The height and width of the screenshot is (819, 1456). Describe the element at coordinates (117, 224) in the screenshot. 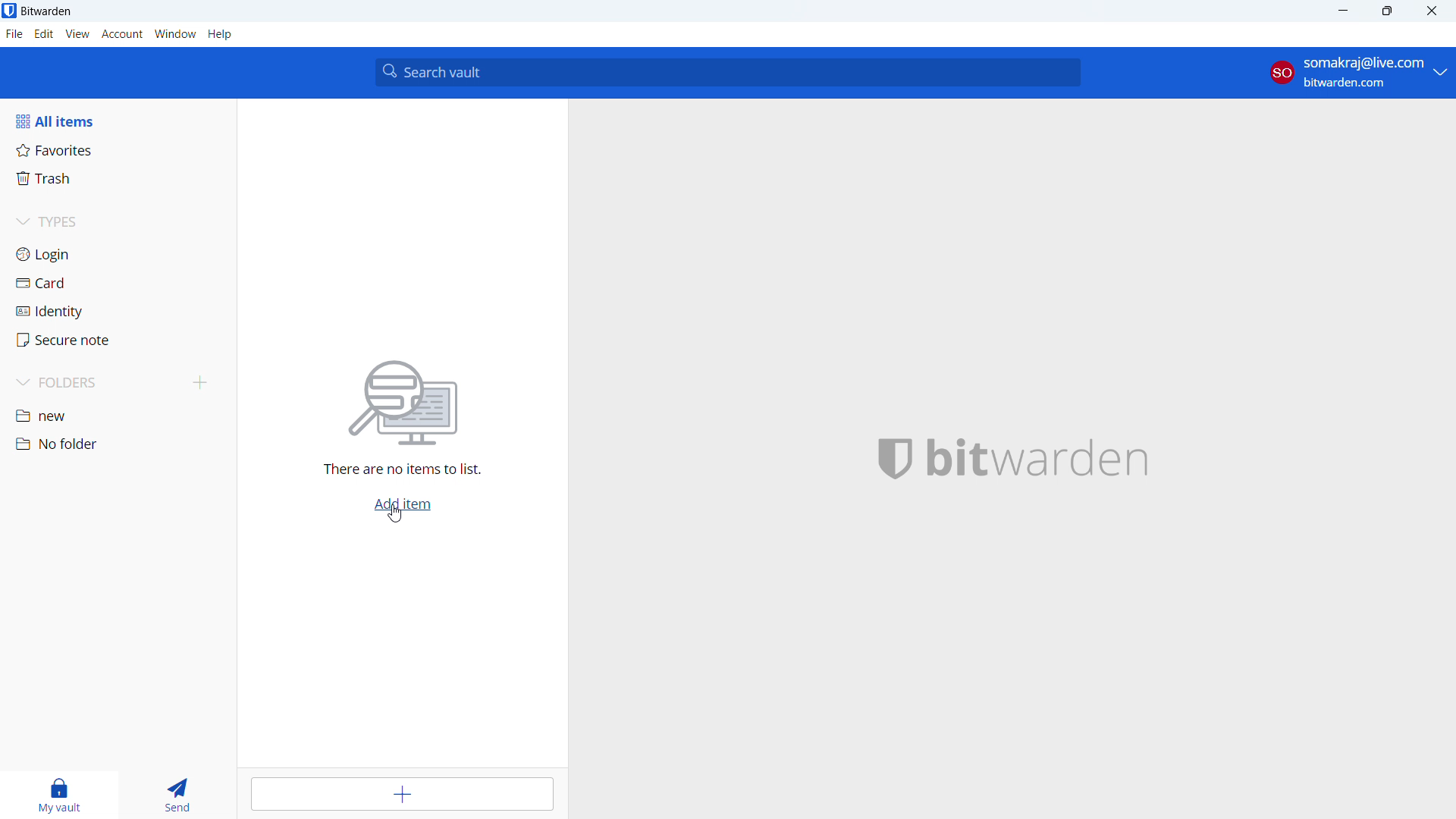

I see `types` at that location.